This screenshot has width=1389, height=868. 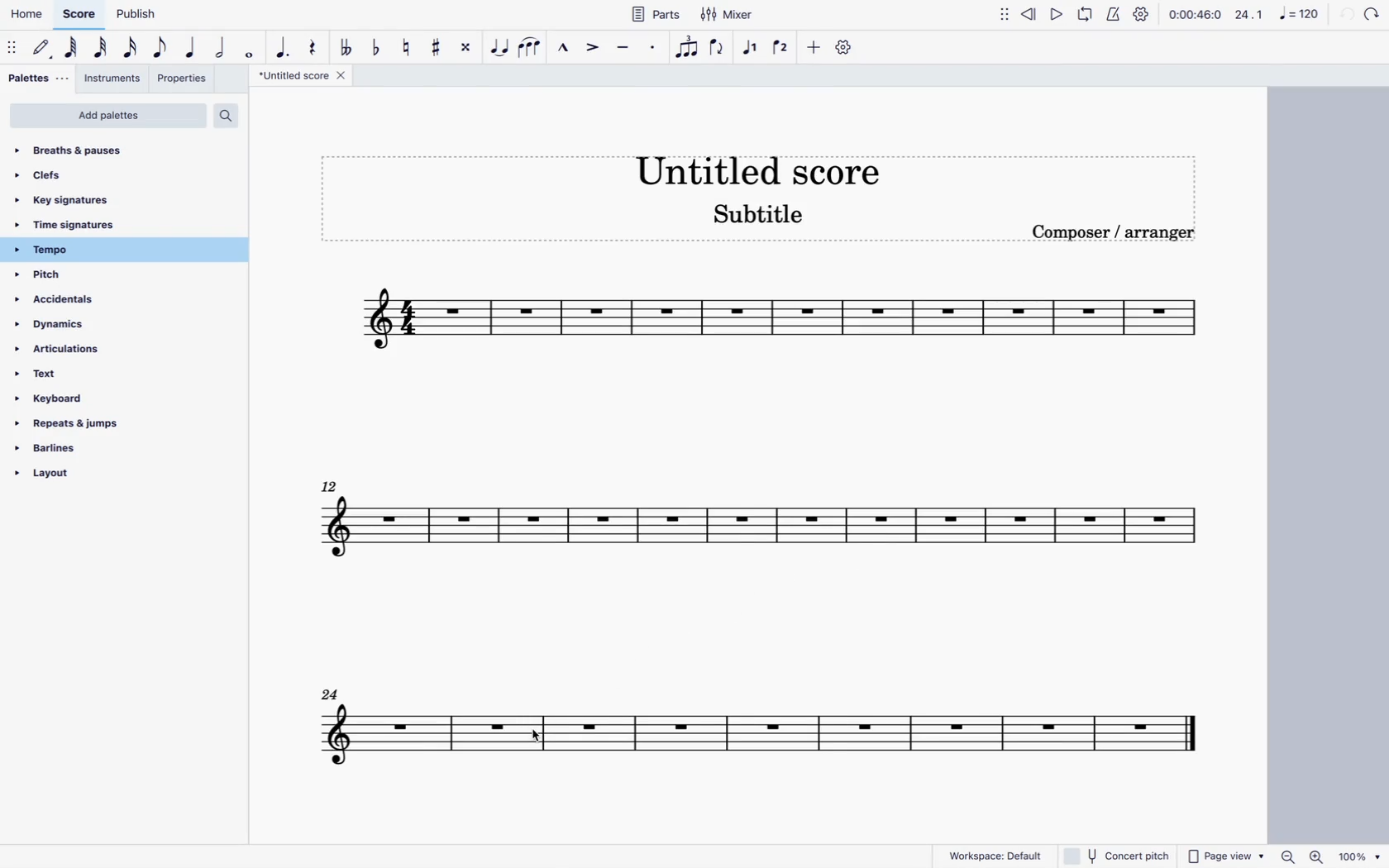 What do you see at coordinates (565, 48) in the screenshot?
I see `marcato` at bounding box center [565, 48].